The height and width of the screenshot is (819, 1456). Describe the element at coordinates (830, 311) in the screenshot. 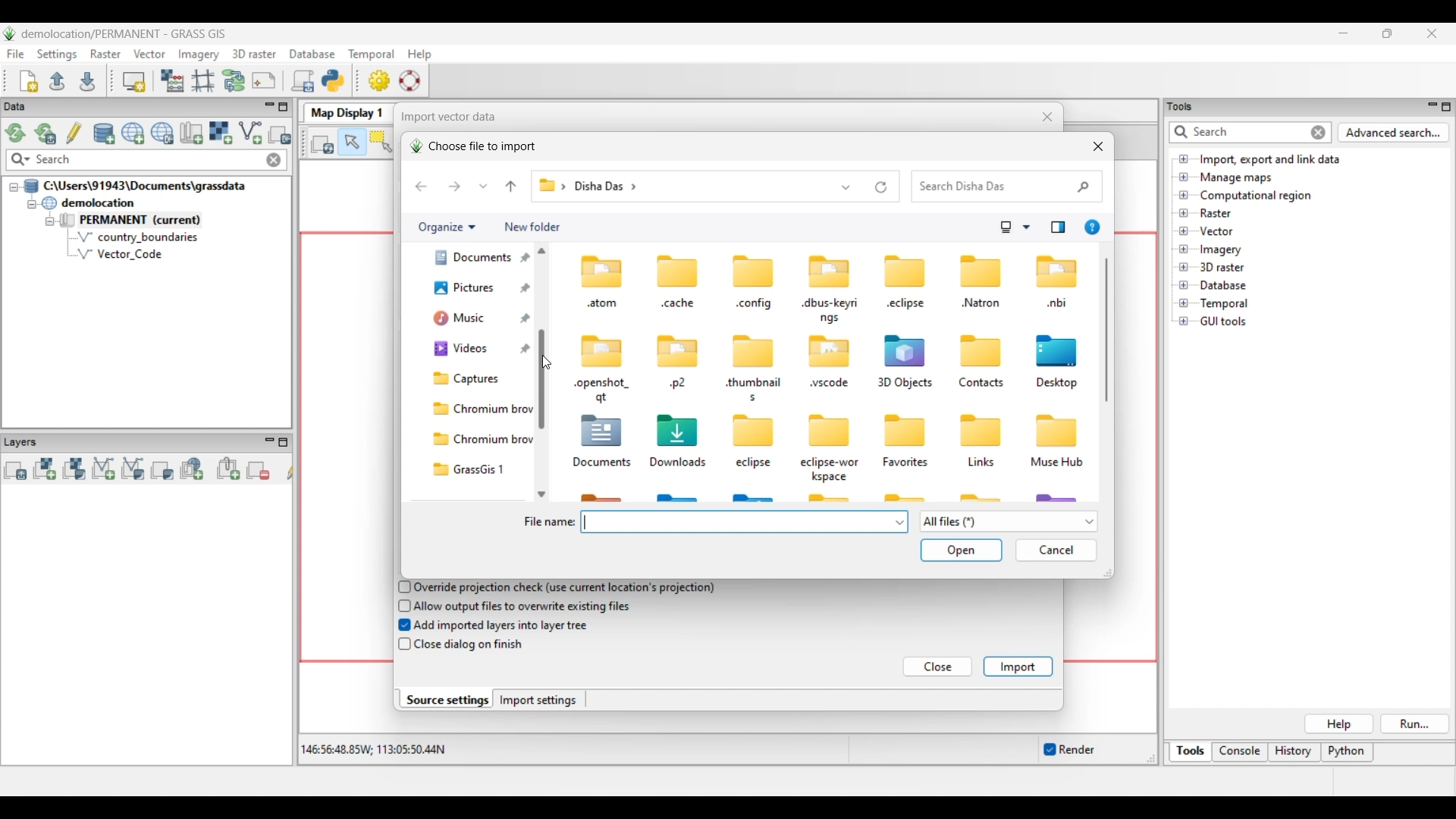

I see `«dbus-keyri
ngs` at that location.